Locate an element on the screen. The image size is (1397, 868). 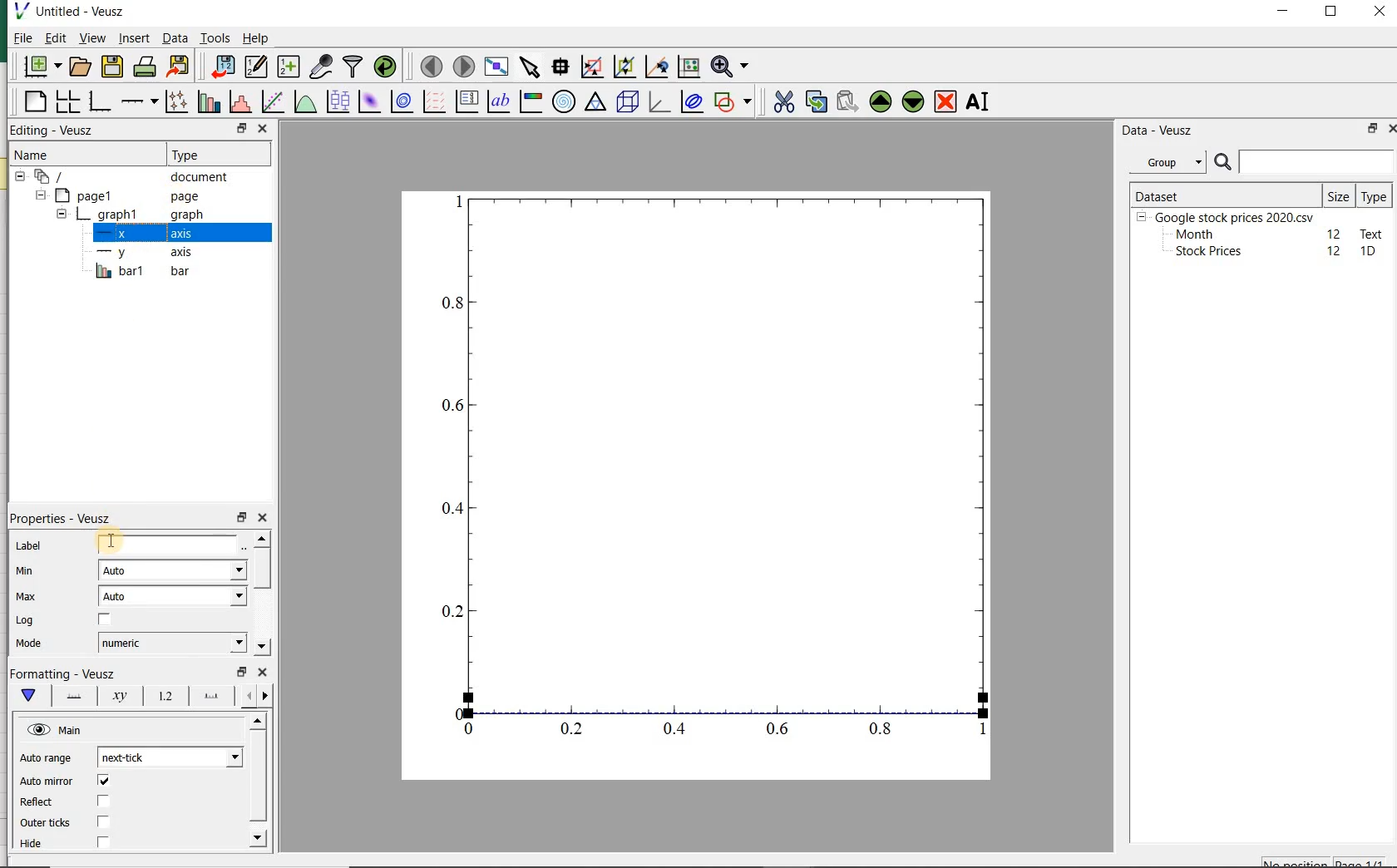
1D is located at coordinates (1370, 252).